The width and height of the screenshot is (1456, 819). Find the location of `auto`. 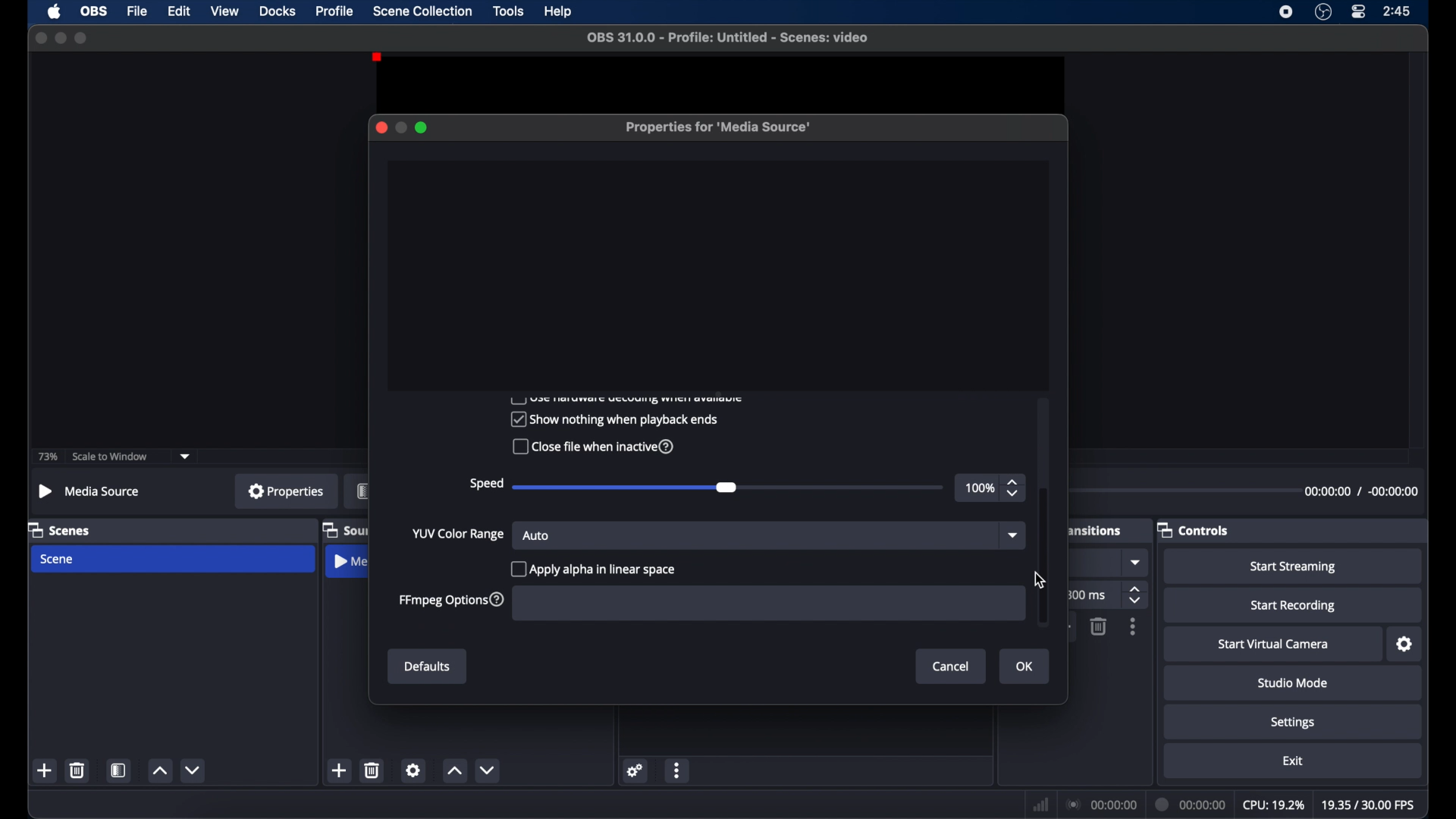

auto is located at coordinates (537, 535).